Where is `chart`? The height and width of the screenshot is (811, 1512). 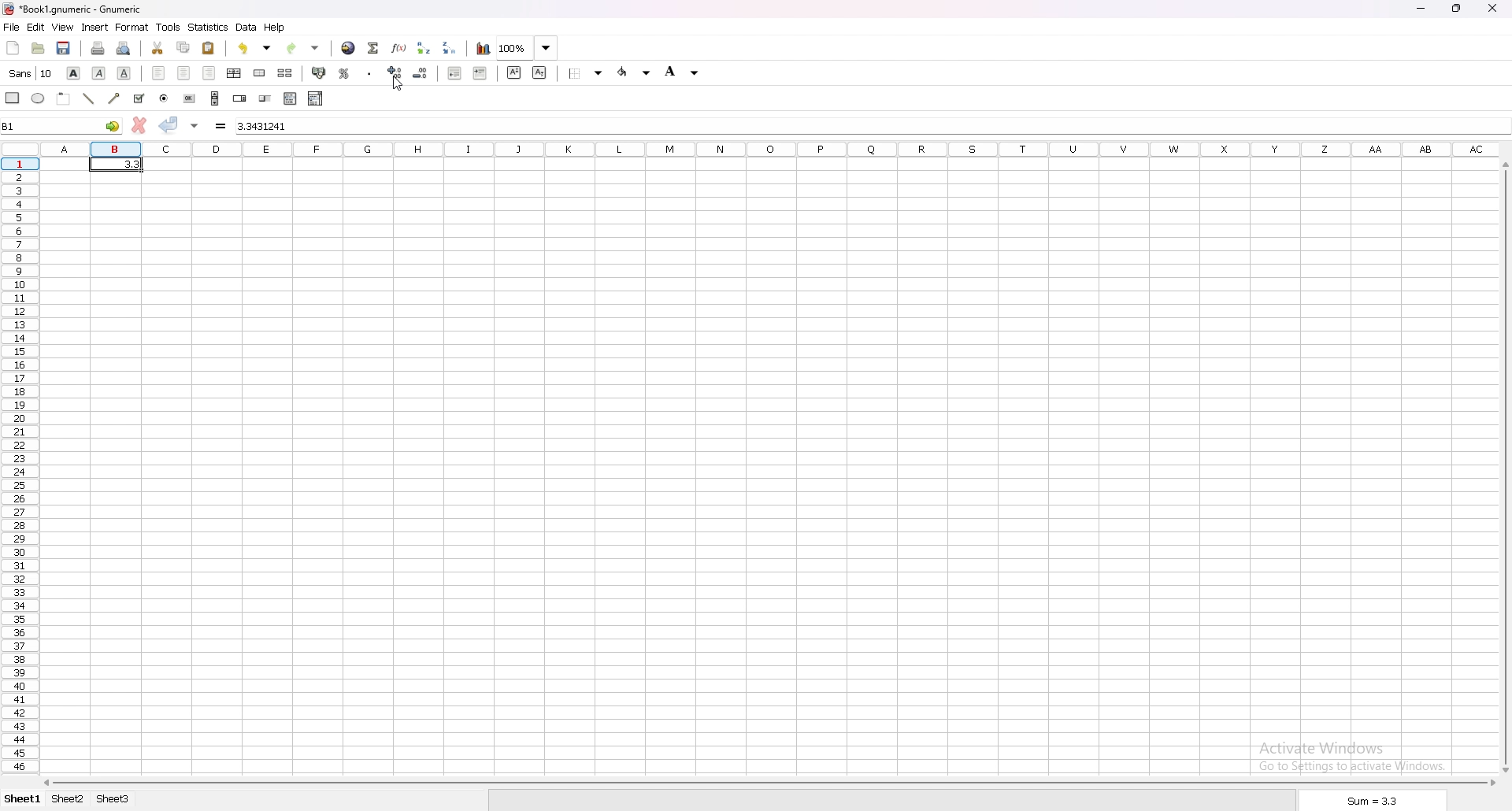
chart is located at coordinates (484, 48).